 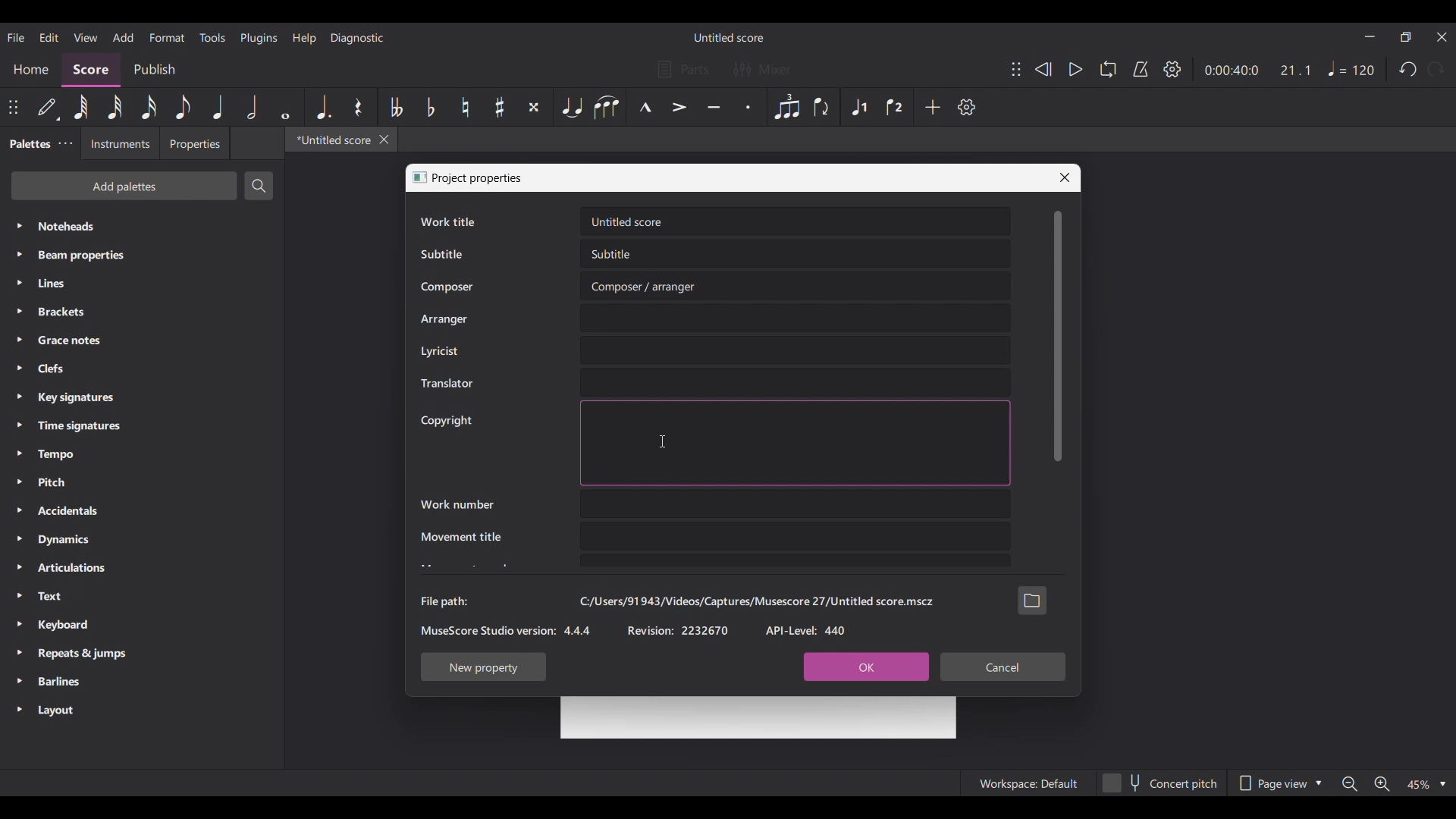 I want to click on Page view options, so click(x=1278, y=783).